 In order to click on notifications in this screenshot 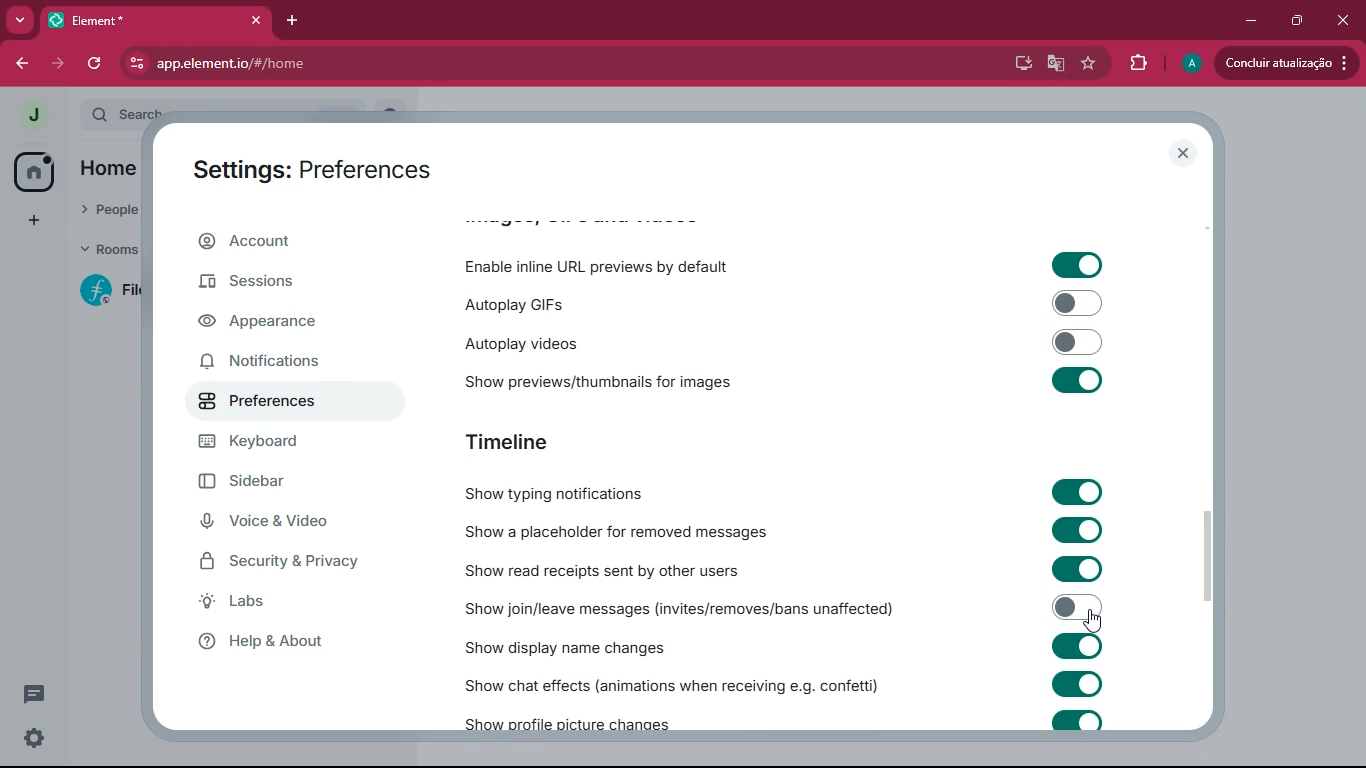, I will do `click(275, 362)`.